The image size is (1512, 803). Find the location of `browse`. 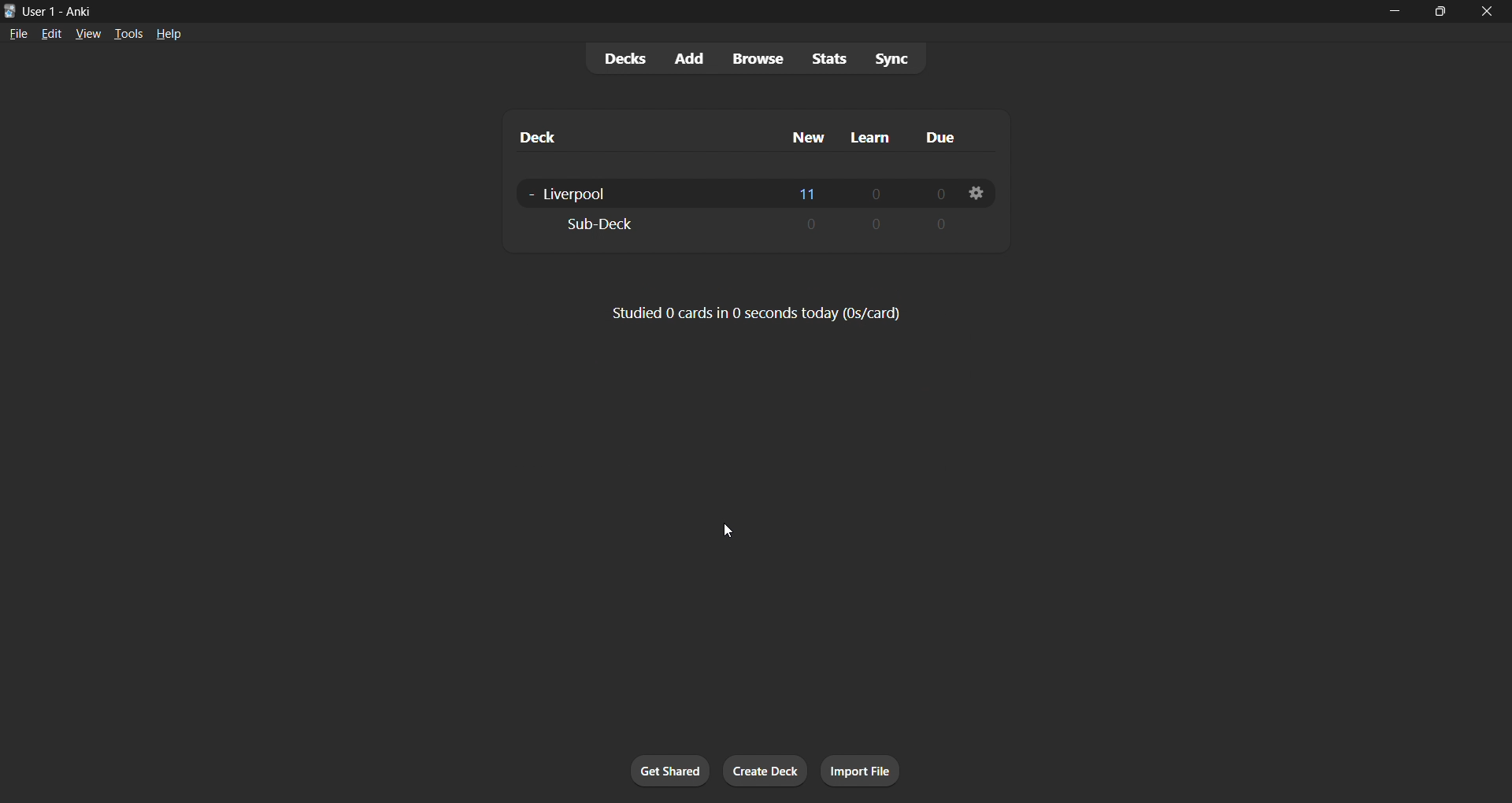

browse is located at coordinates (754, 56).